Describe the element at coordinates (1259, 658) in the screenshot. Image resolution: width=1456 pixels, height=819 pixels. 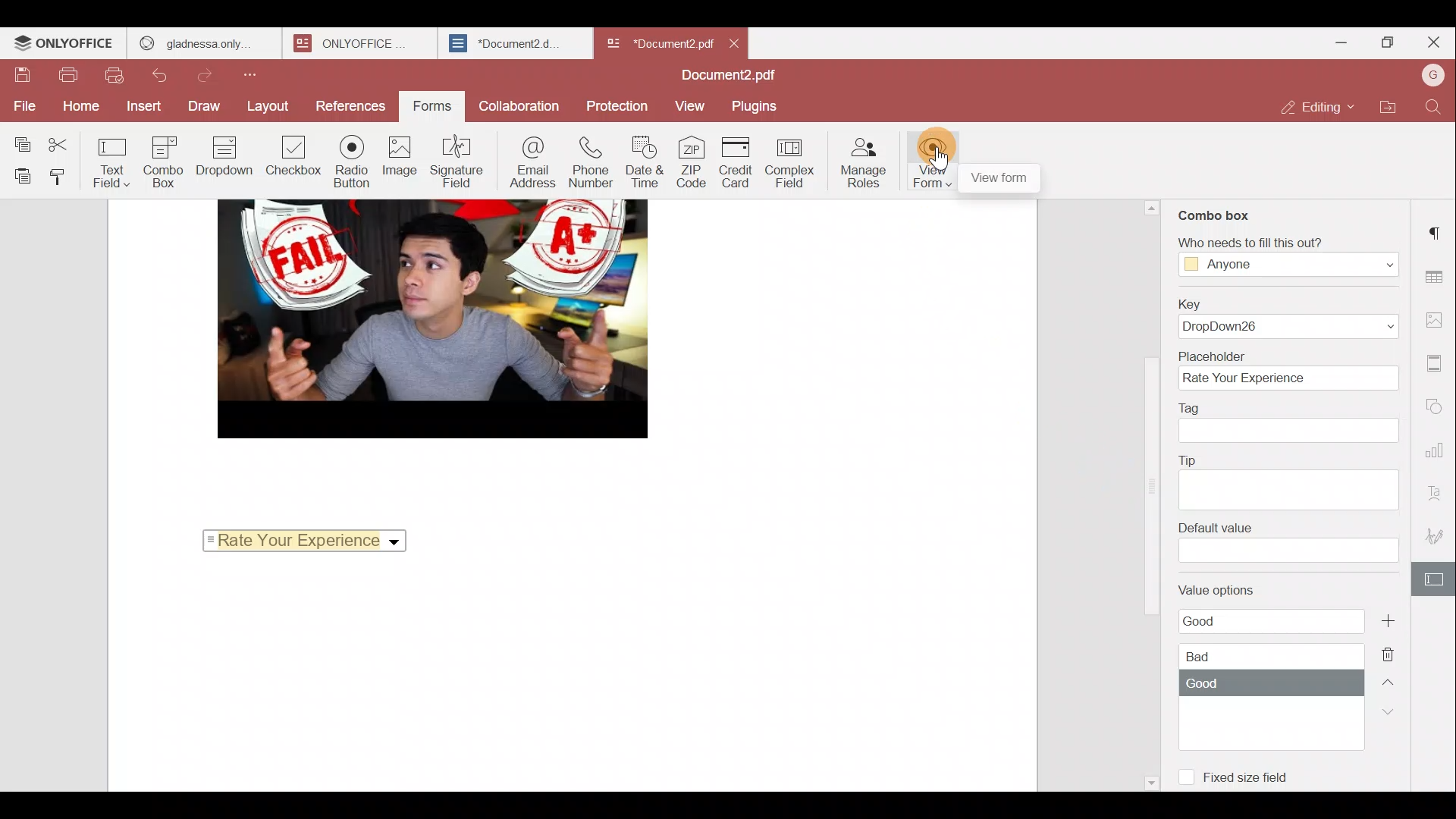
I see `Value options` at that location.